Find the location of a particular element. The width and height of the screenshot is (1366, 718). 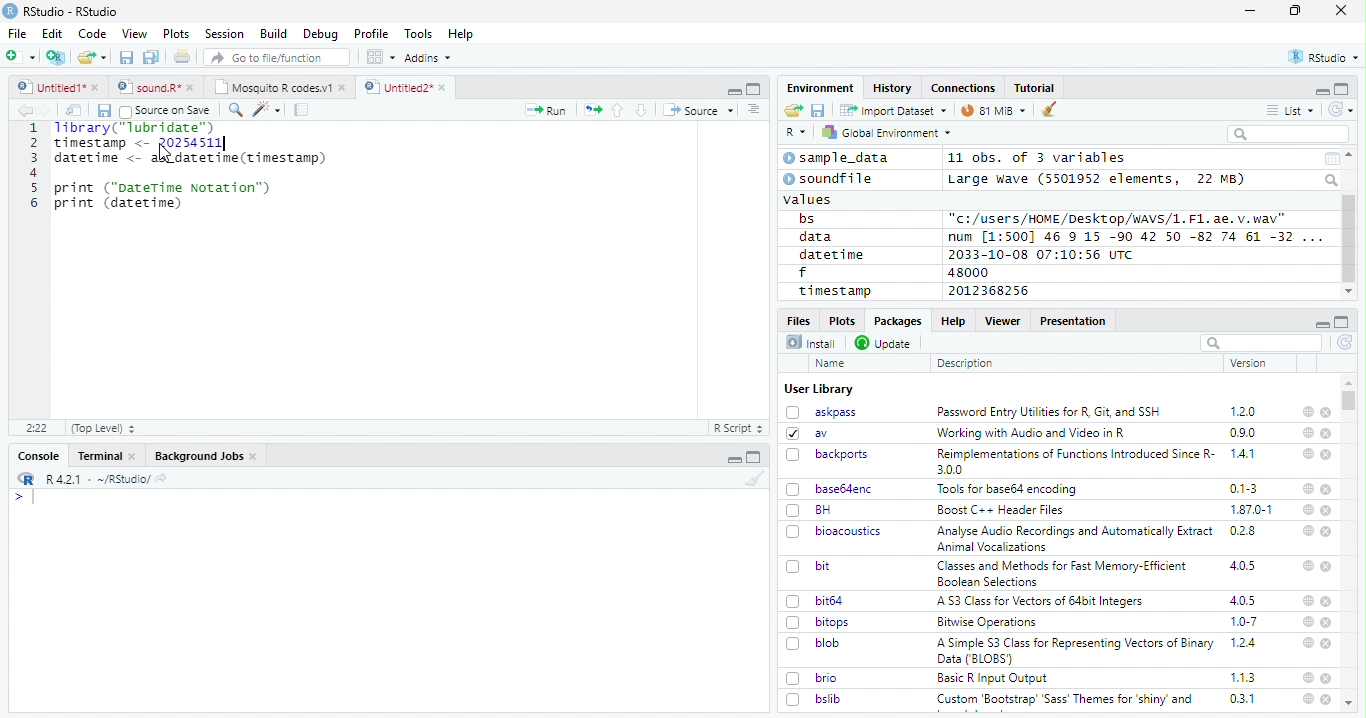

Code is located at coordinates (91, 34).